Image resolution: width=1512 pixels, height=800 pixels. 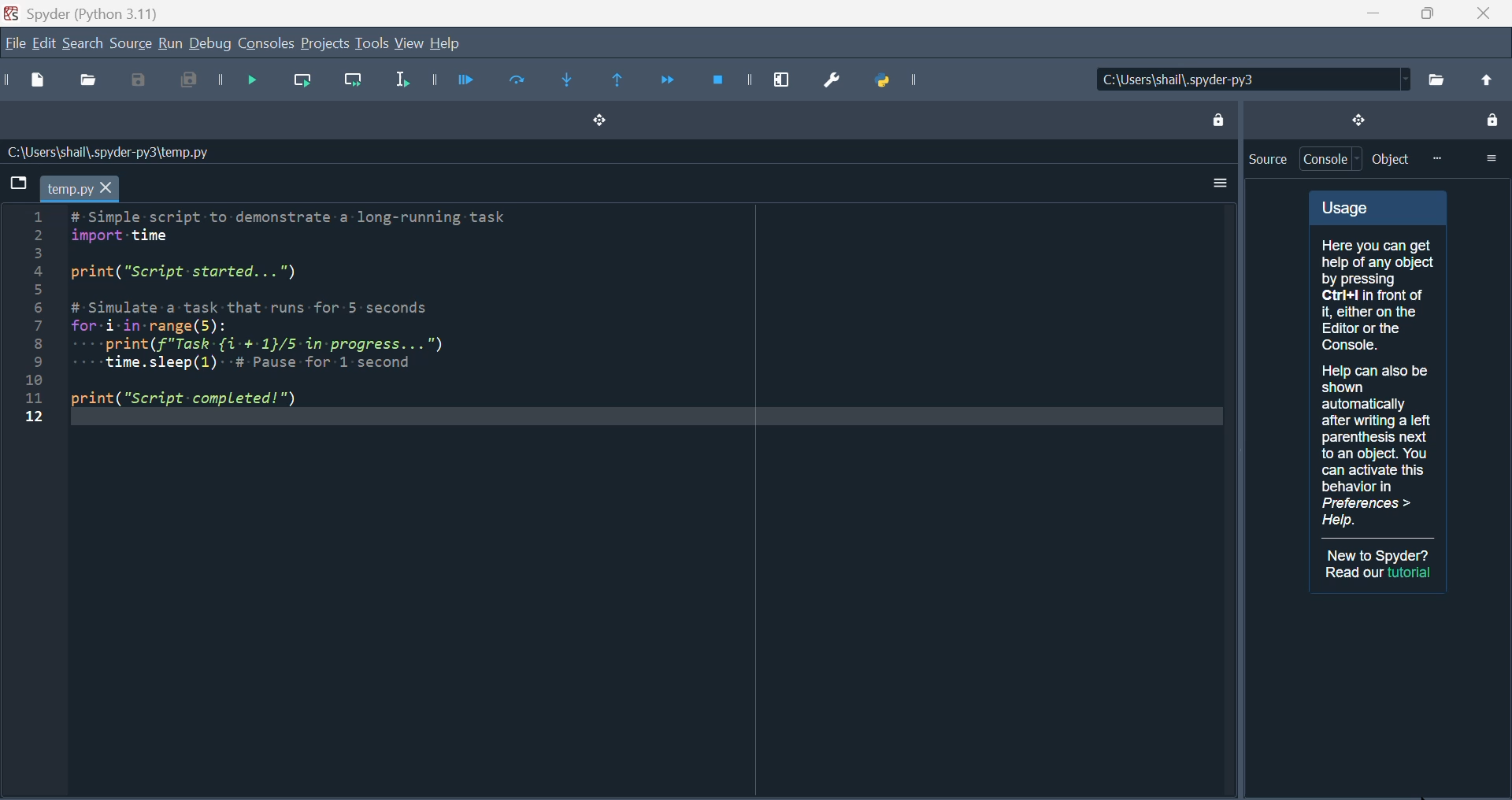 What do you see at coordinates (356, 84) in the screenshot?
I see `run current line and go to the next one` at bounding box center [356, 84].